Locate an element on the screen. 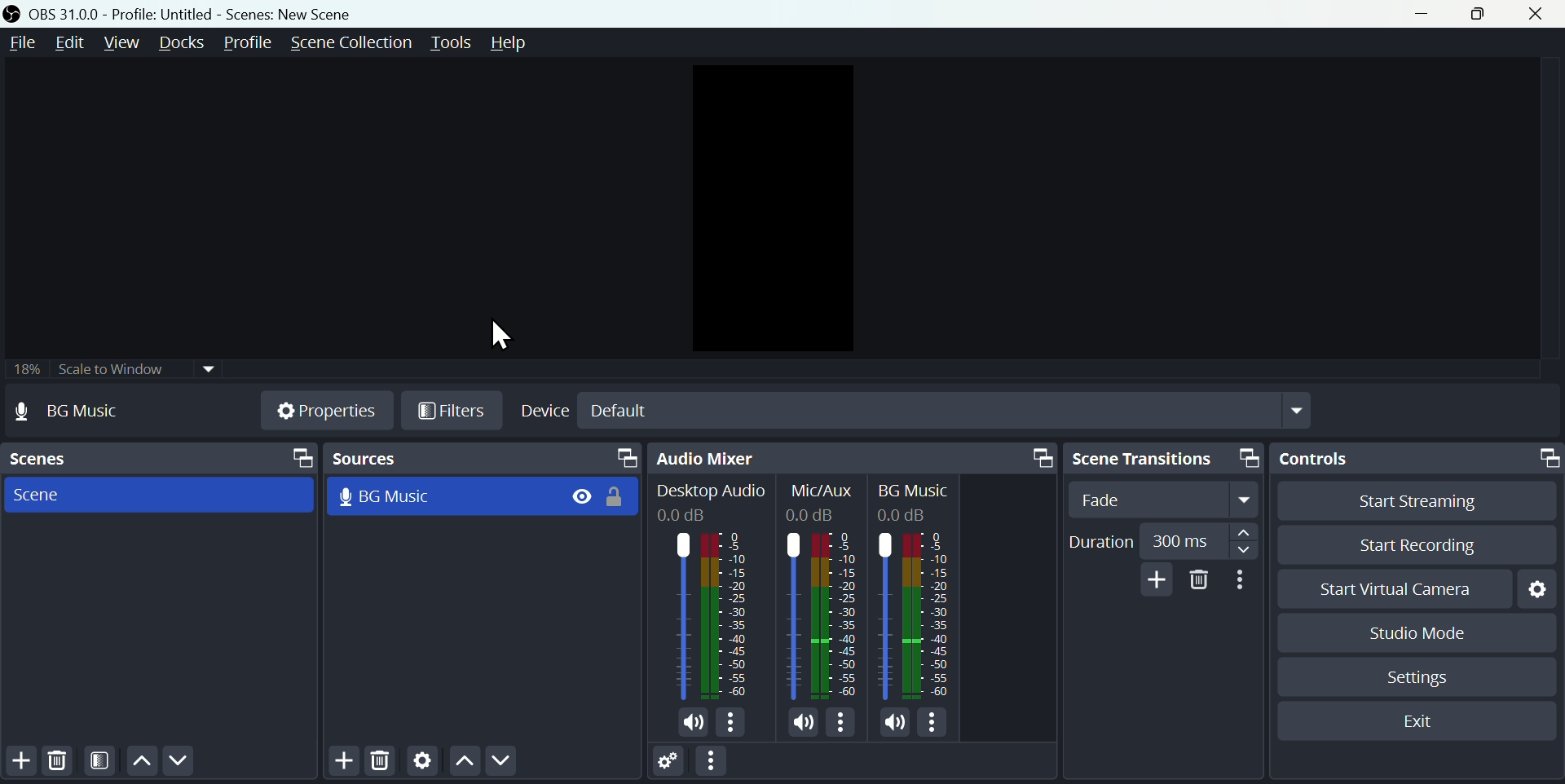 The image size is (1565, 784).  is located at coordinates (911, 614).